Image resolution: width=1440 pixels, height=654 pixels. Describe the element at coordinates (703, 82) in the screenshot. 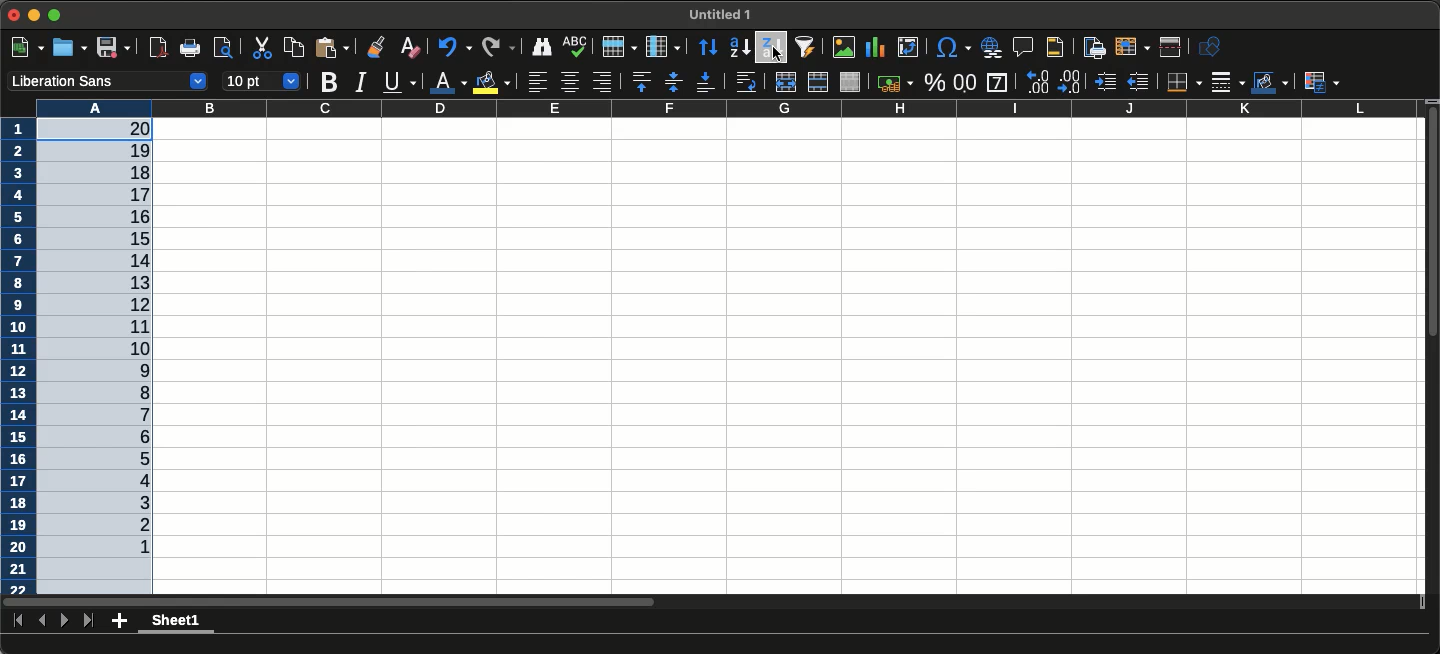

I see `Align bottom` at that location.